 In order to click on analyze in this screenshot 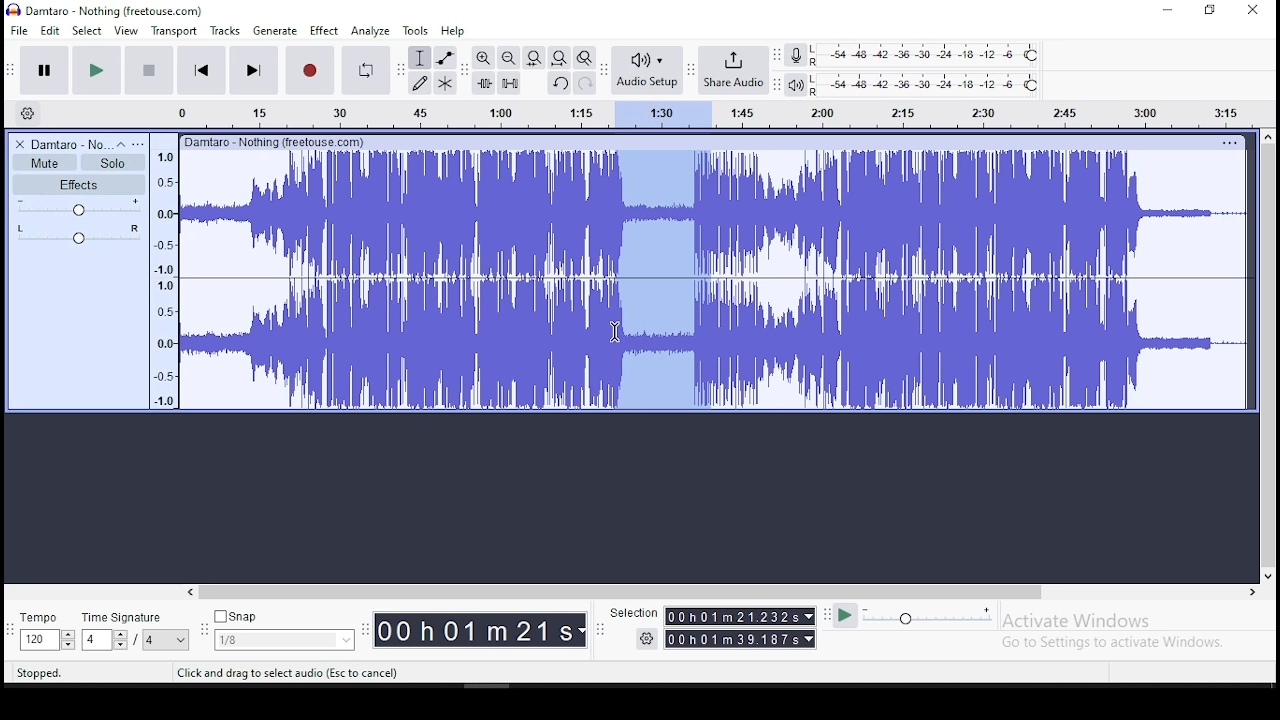, I will do `click(371, 31)`.